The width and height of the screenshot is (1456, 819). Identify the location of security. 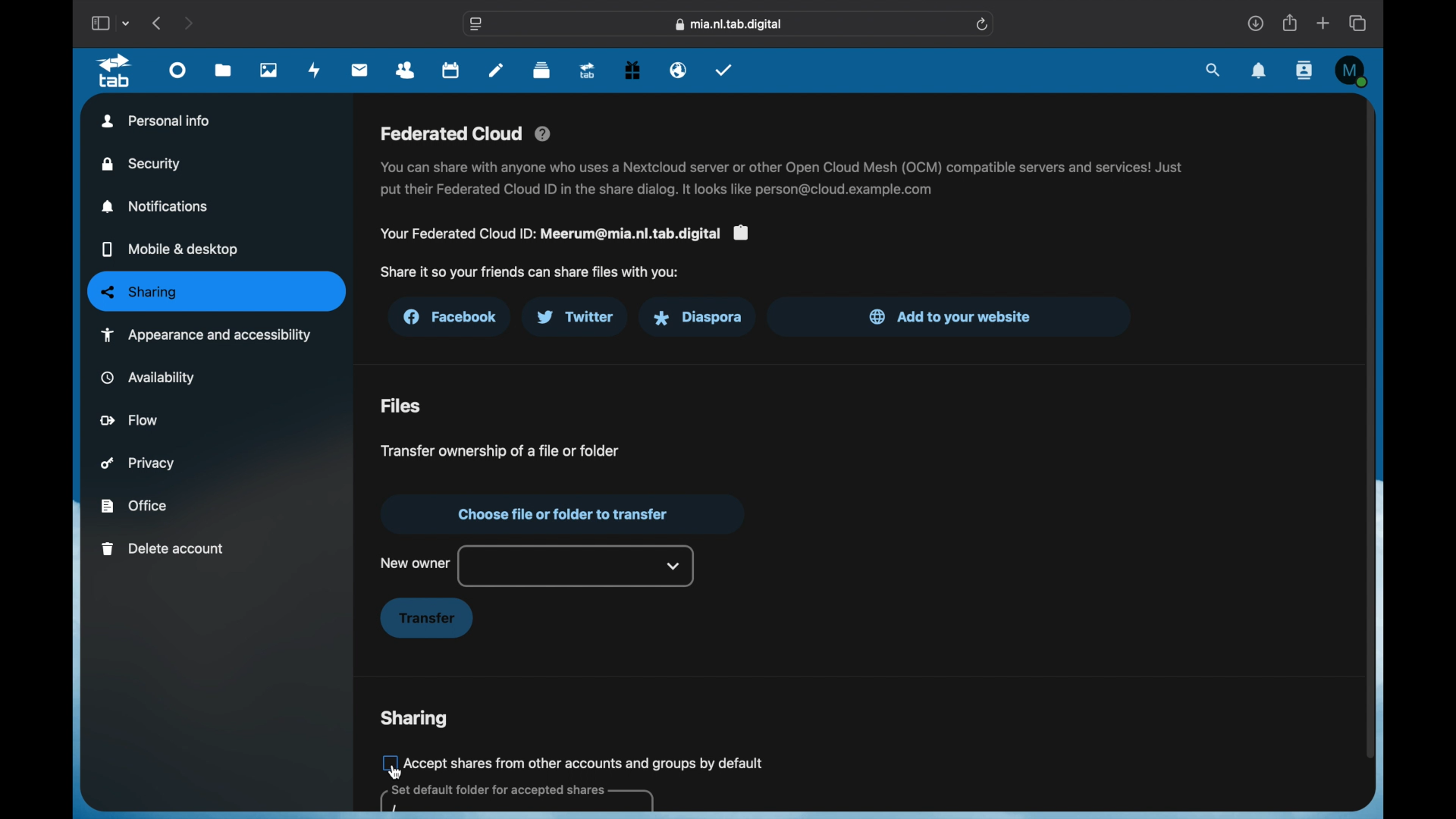
(143, 164).